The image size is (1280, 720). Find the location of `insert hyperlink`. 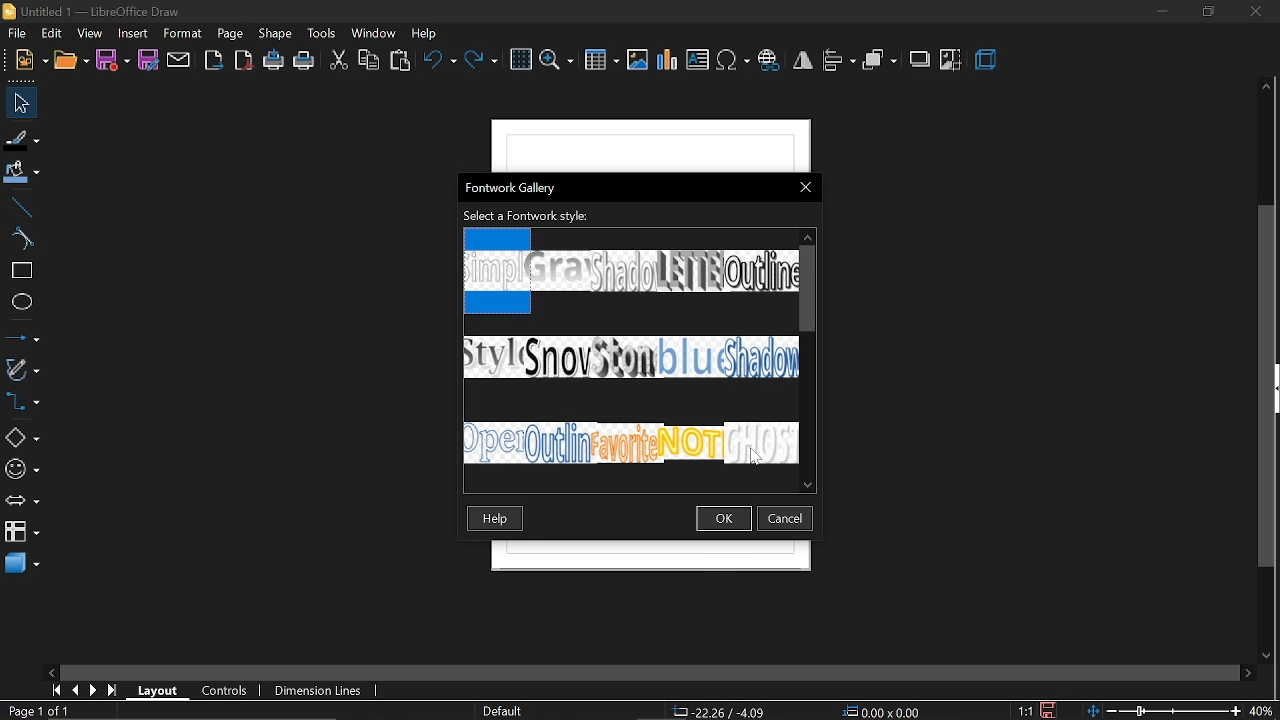

insert hyperlink is located at coordinates (770, 59).